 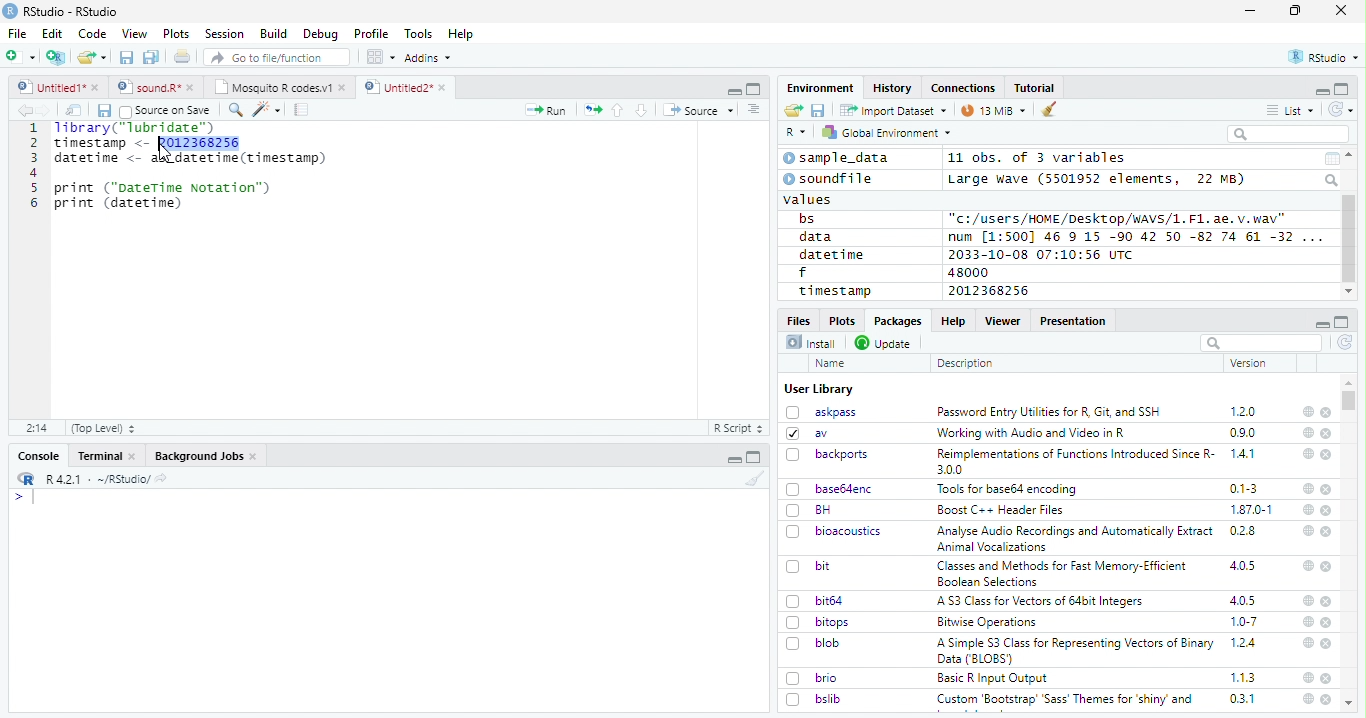 I want to click on Source, so click(x=698, y=112).